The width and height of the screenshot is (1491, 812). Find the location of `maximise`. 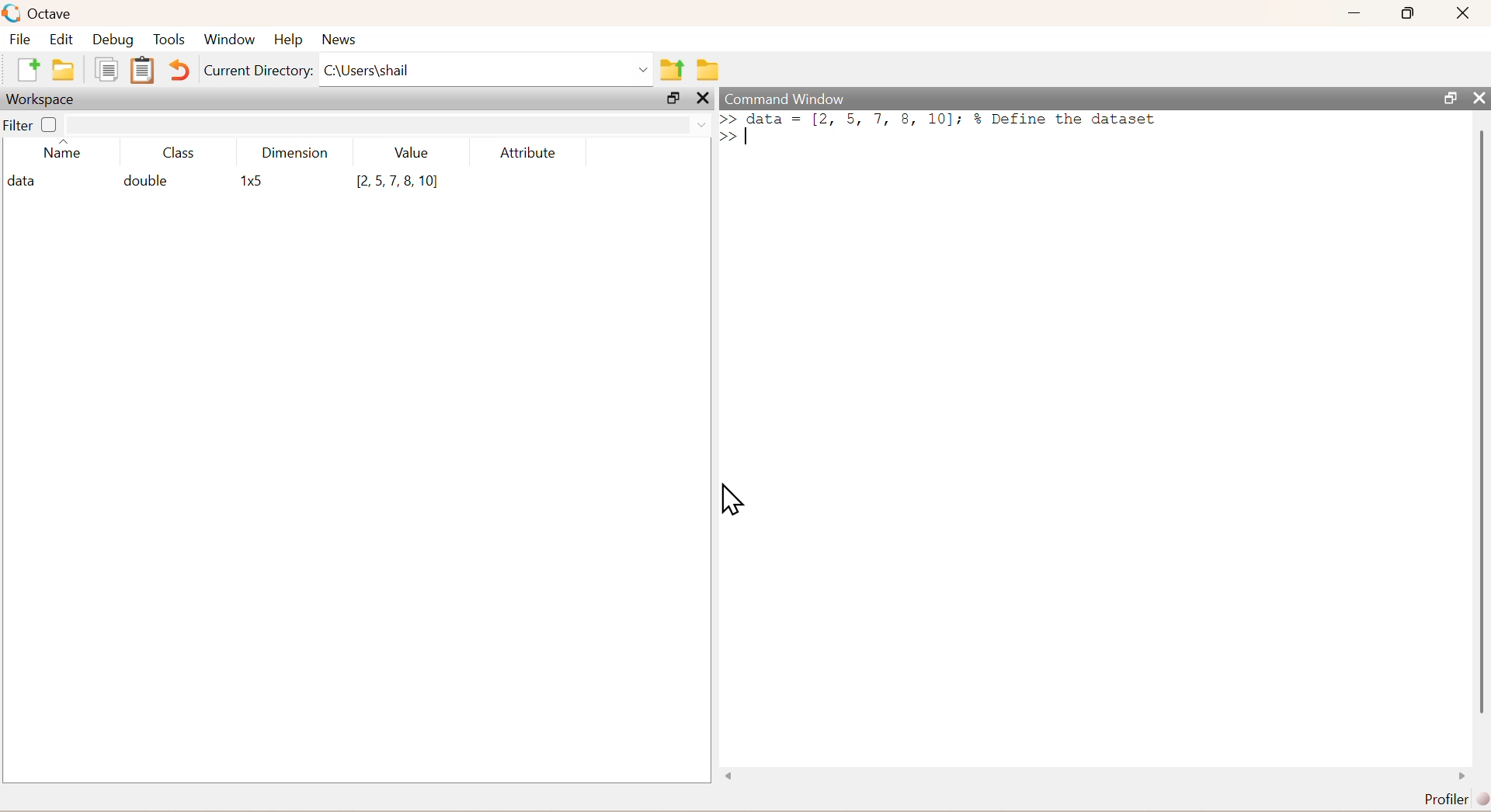

maximise is located at coordinates (1409, 12).